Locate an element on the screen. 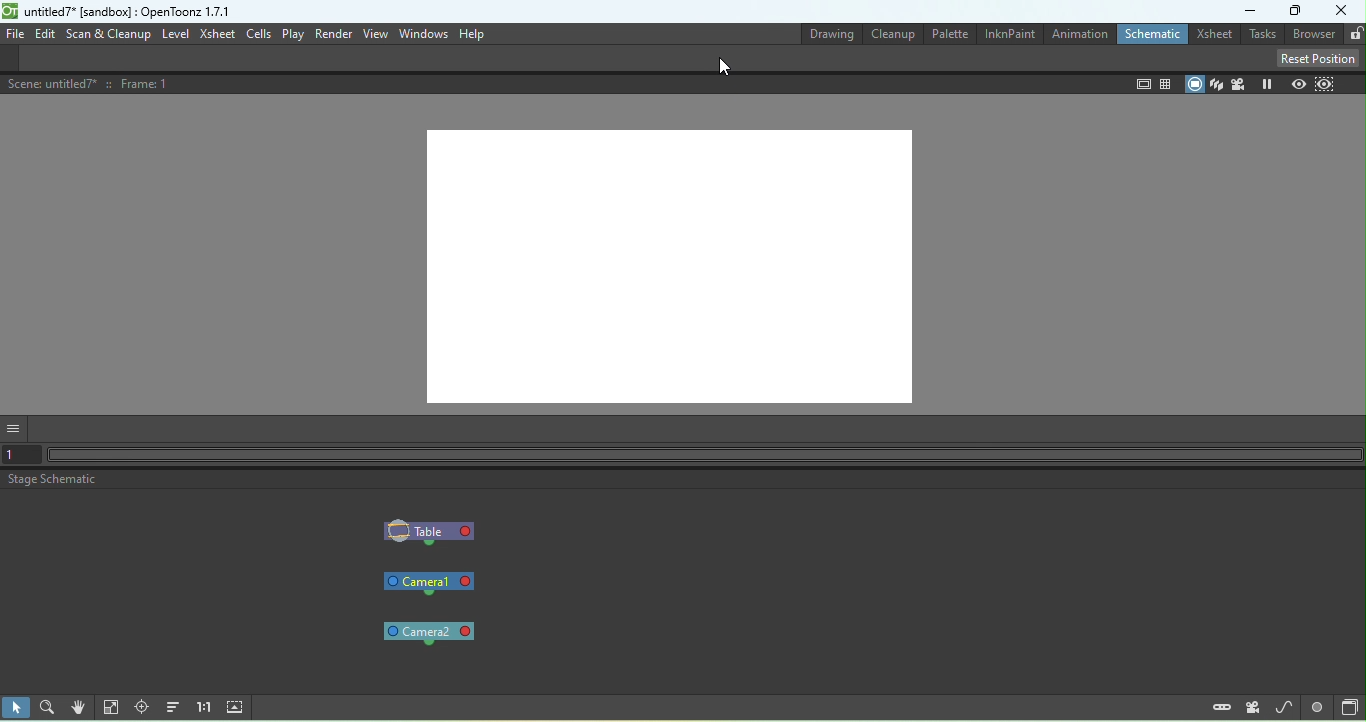  Xsheet is located at coordinates (217, 36).